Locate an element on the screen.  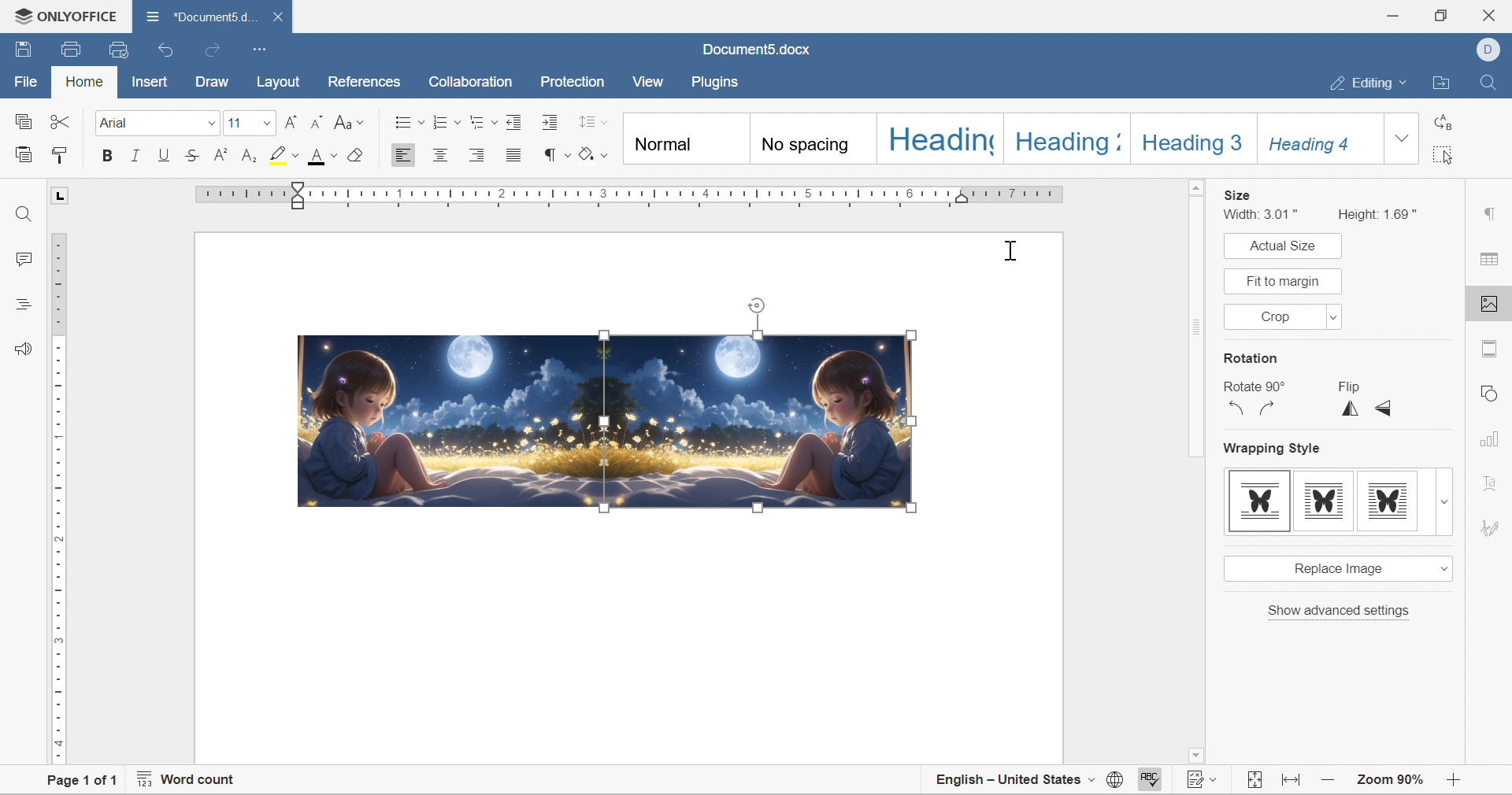
document5.docx is located at coordinates (759, 50).